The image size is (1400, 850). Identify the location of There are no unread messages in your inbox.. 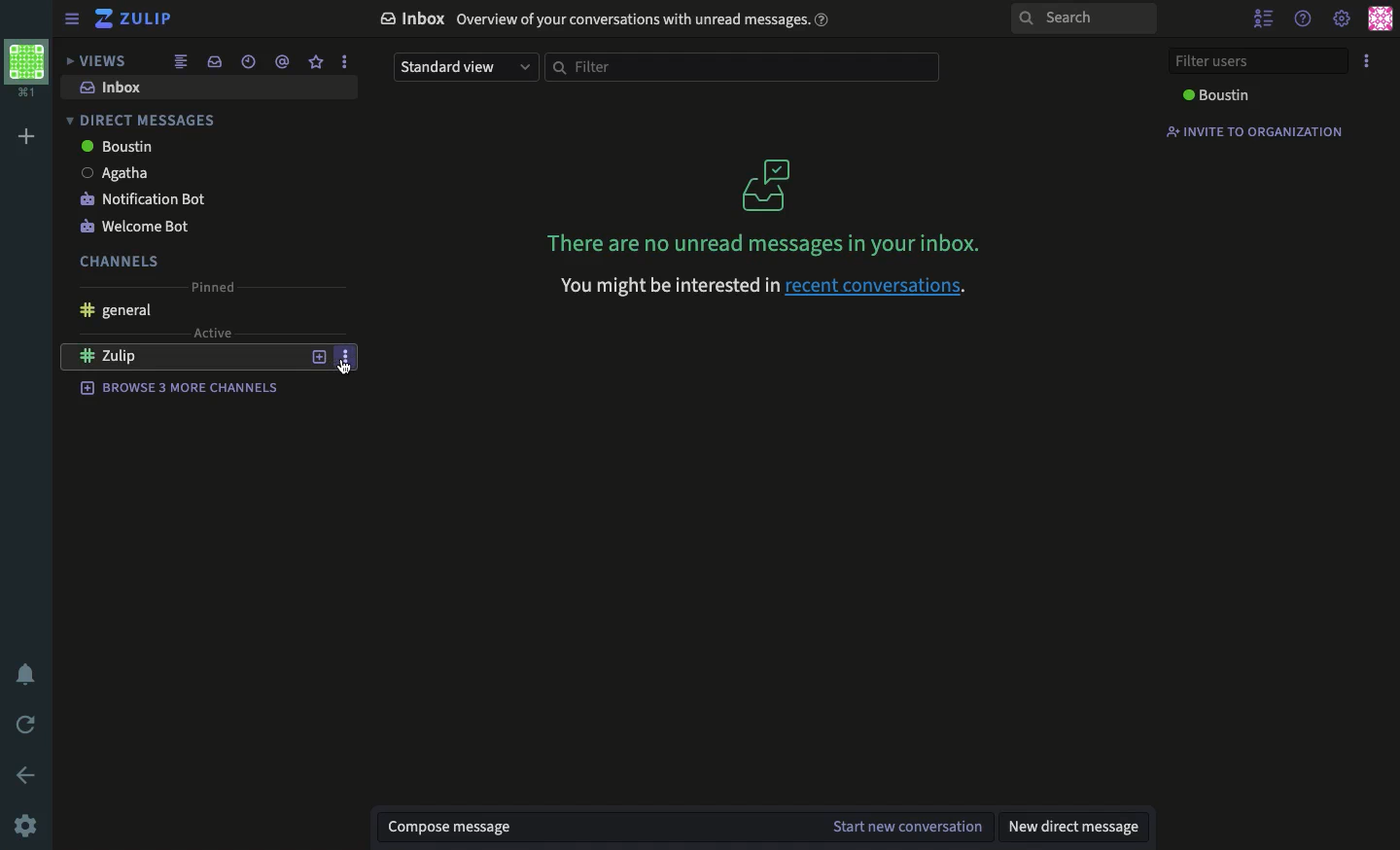
(768, 204).